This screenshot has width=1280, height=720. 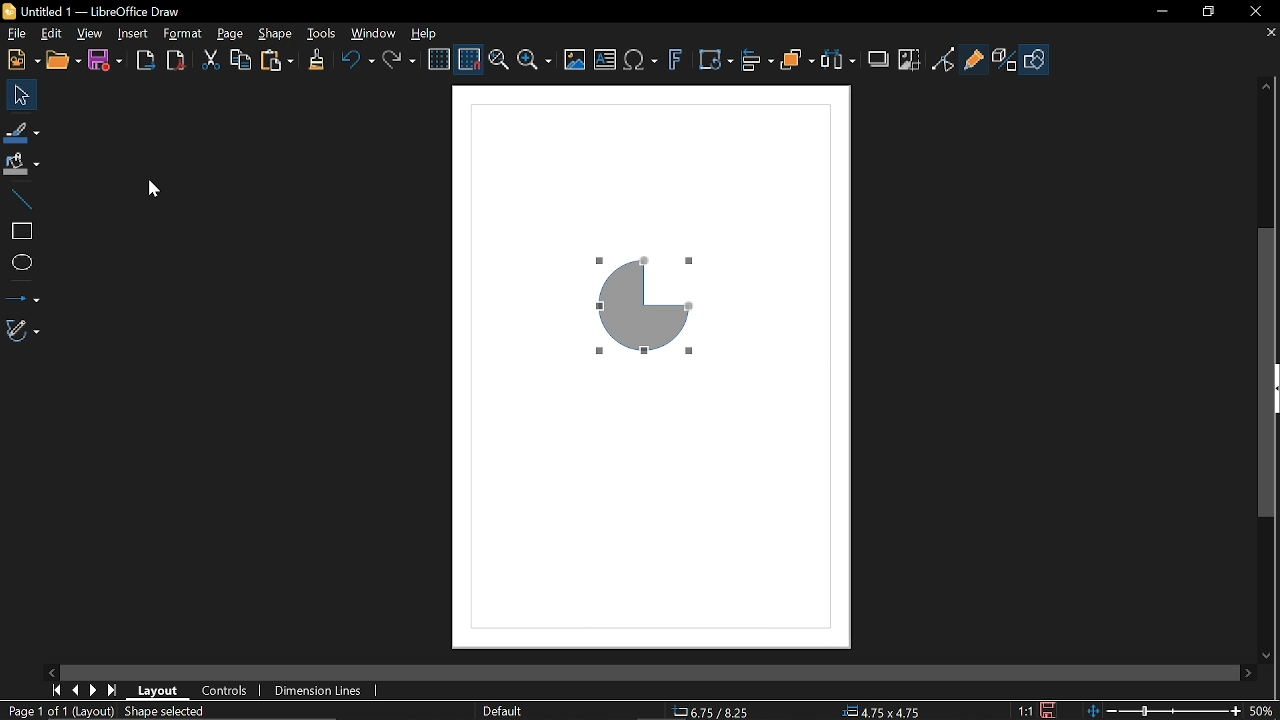 What do you see at coordinates (275, 35) in the screenshot?
I see `Shape` at bounding box center [275, 35].